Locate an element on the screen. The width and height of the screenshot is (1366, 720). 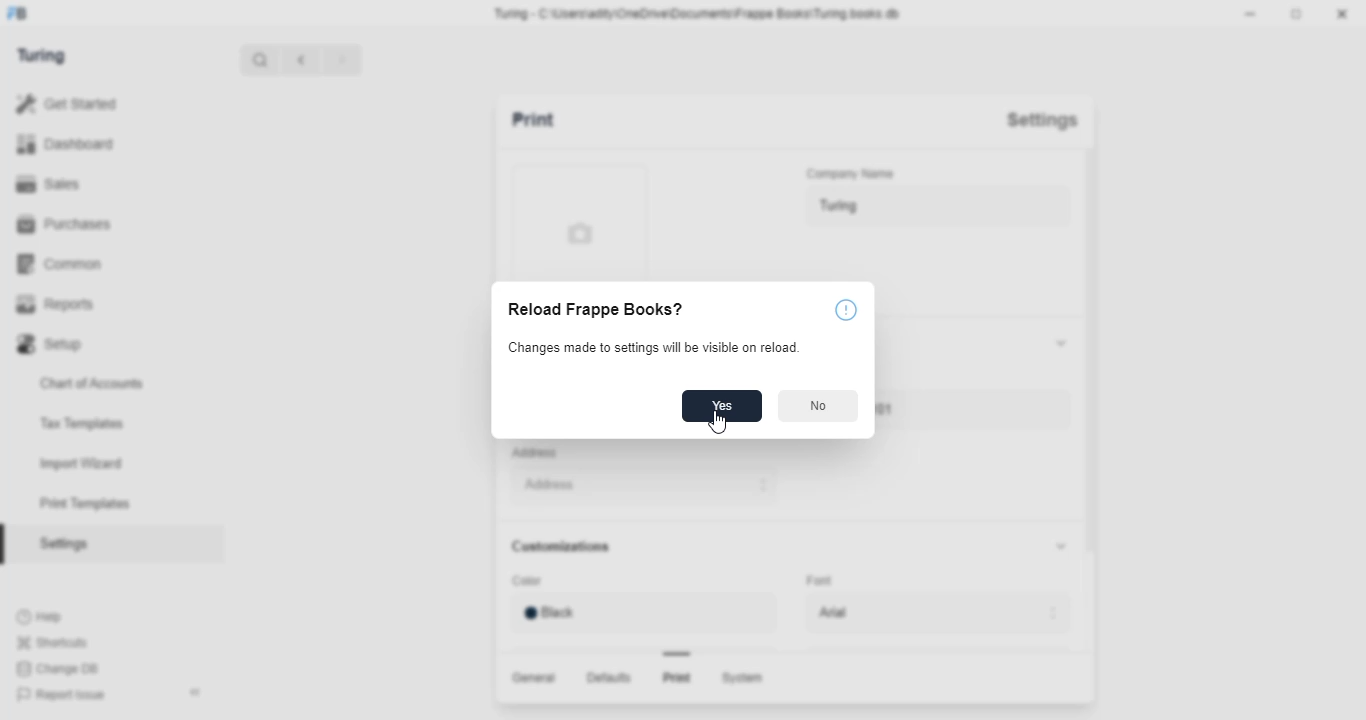
info is located at coordinates (844, 311).